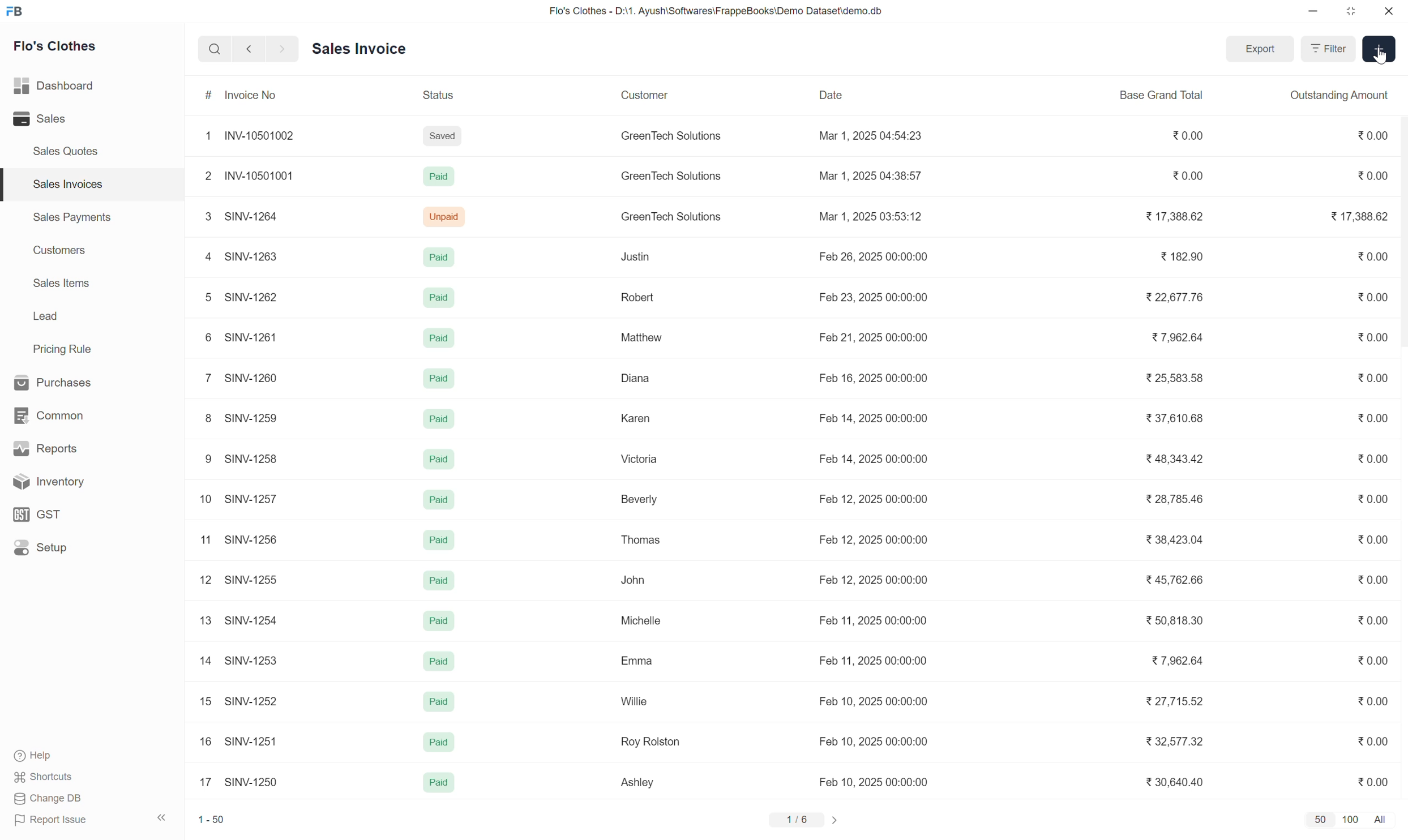  I want to click on ₹30,640.40, so click(1170, 785).